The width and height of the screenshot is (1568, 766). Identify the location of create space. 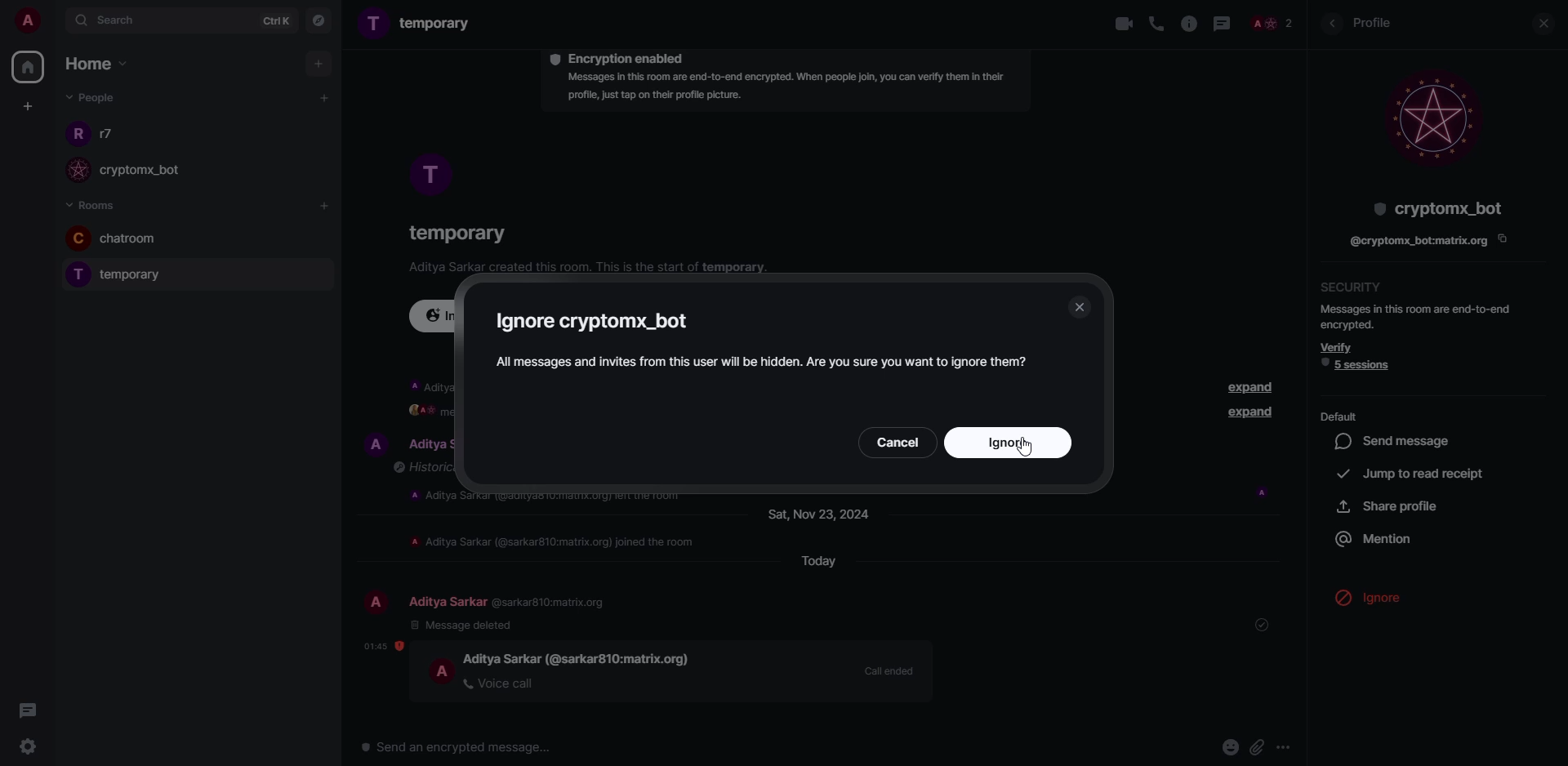
(28, 105).